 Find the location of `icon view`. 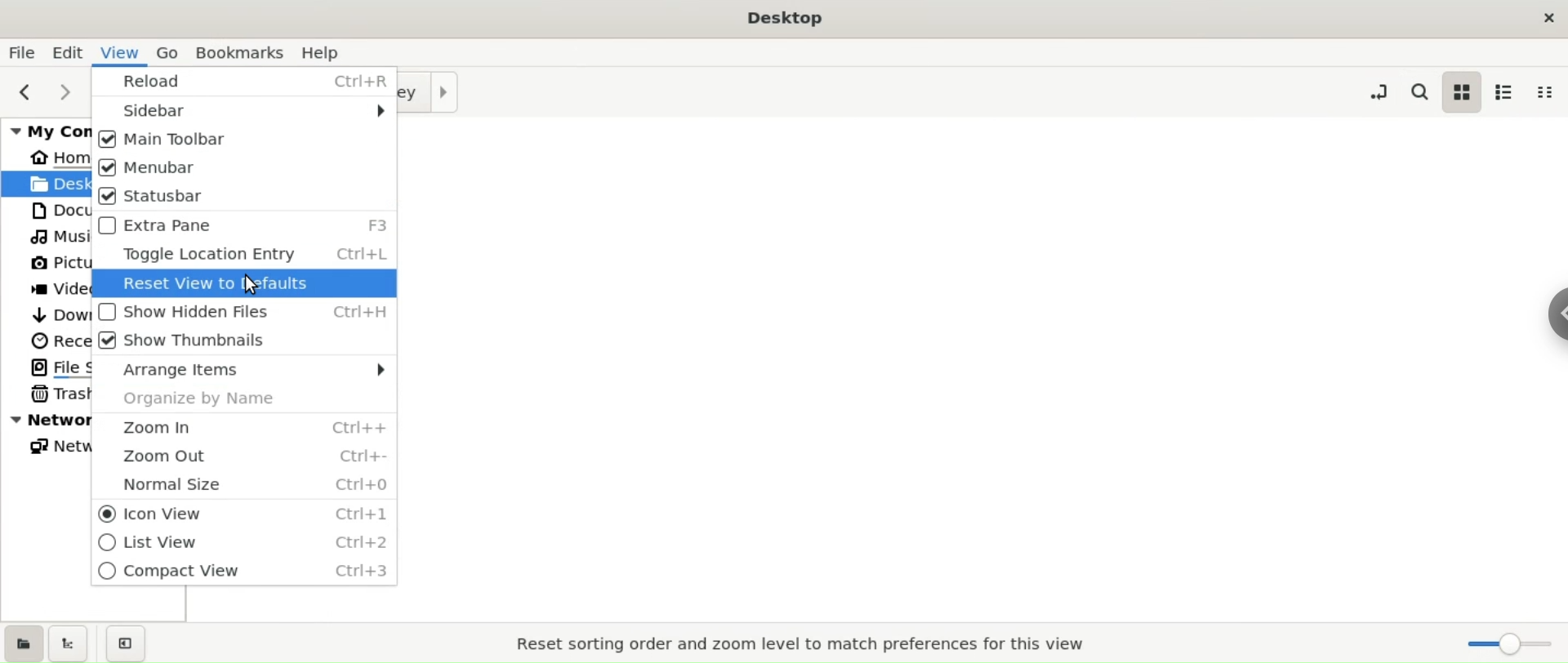

icon view is located at coordinates (1463, 90).